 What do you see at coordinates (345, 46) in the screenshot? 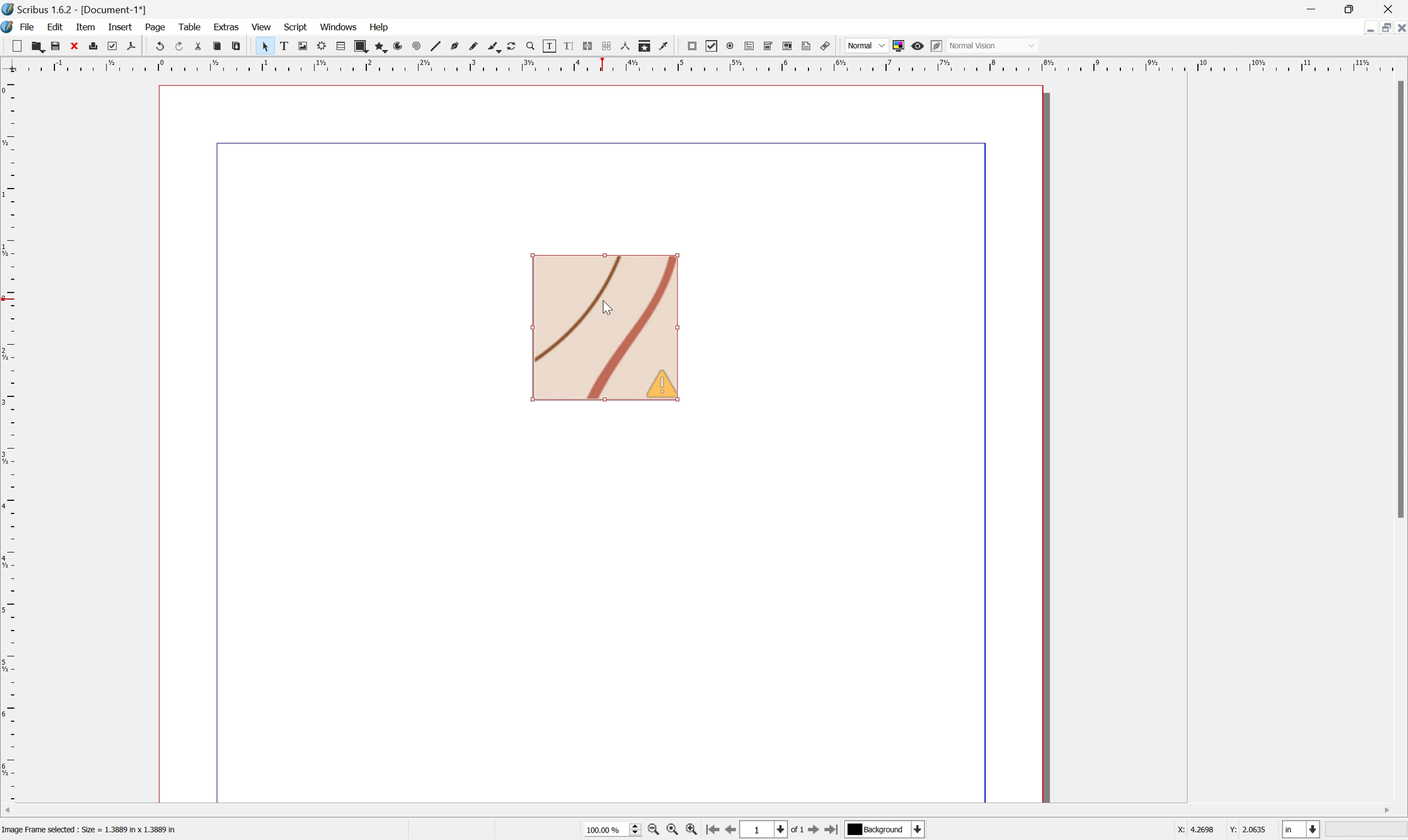
I see `Table` at bounding box center [345, 46].